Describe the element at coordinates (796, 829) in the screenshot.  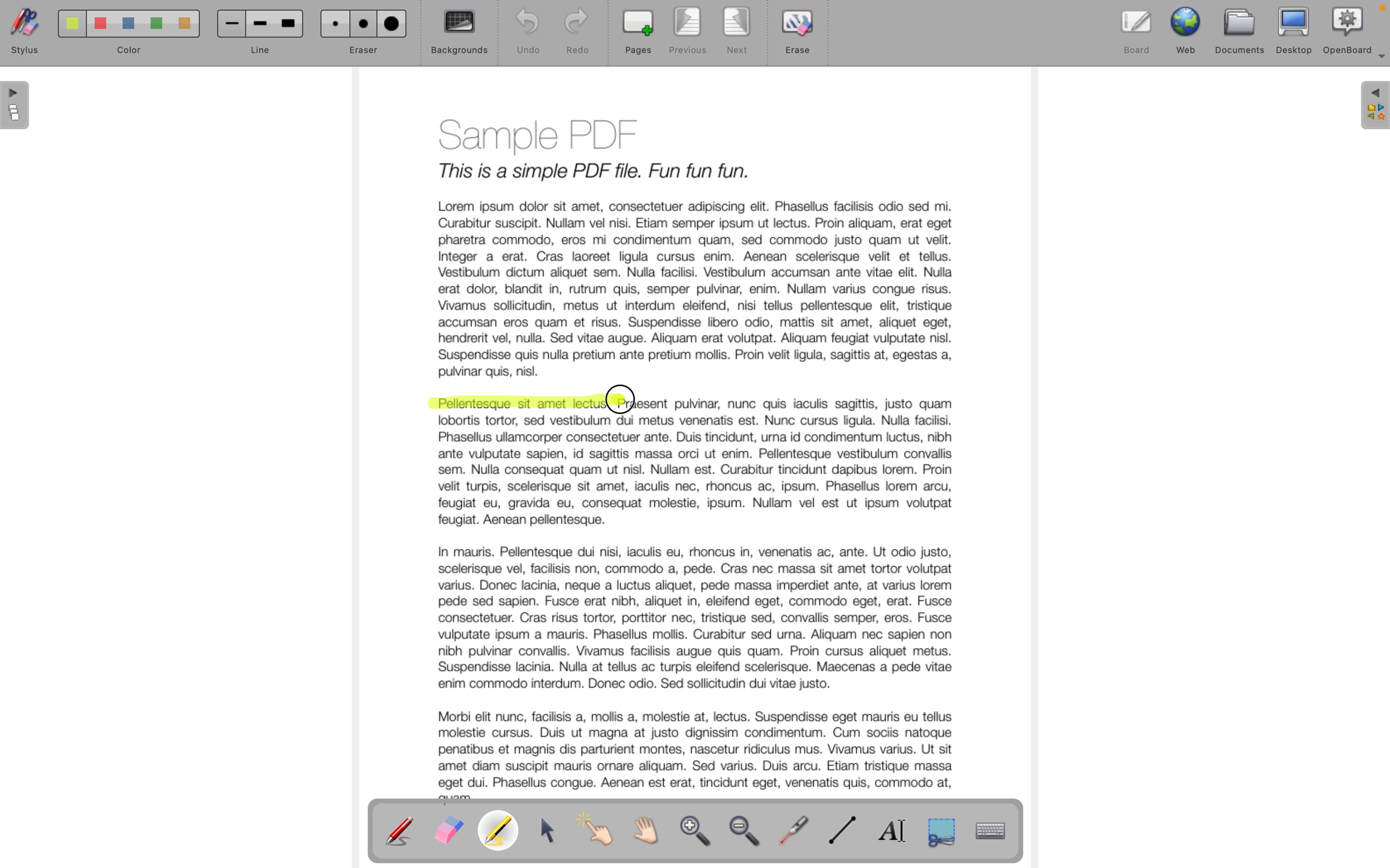
I see `virtual laser pointer` at that location.